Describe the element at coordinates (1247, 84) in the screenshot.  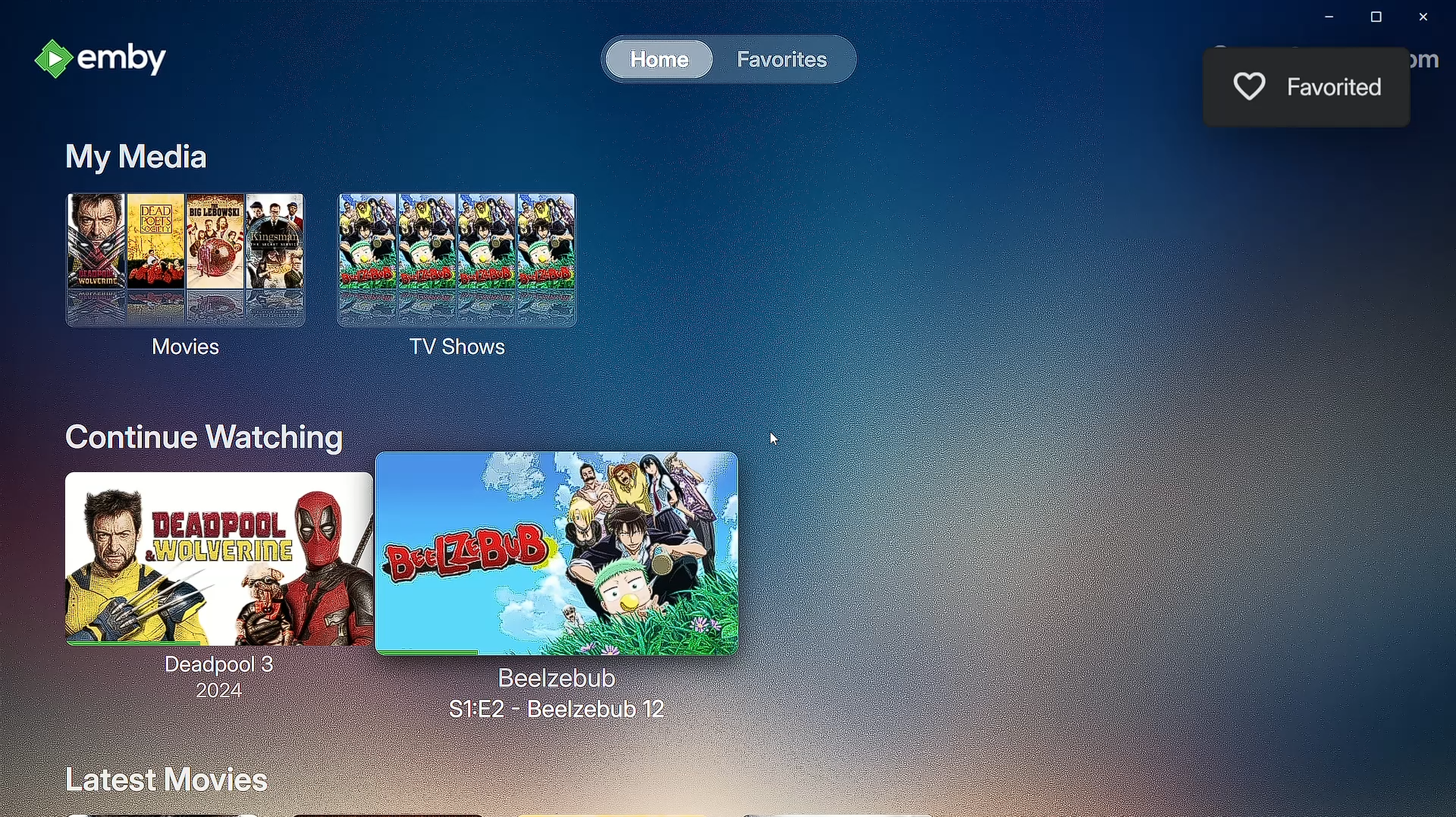
I see `Heart` at that location.